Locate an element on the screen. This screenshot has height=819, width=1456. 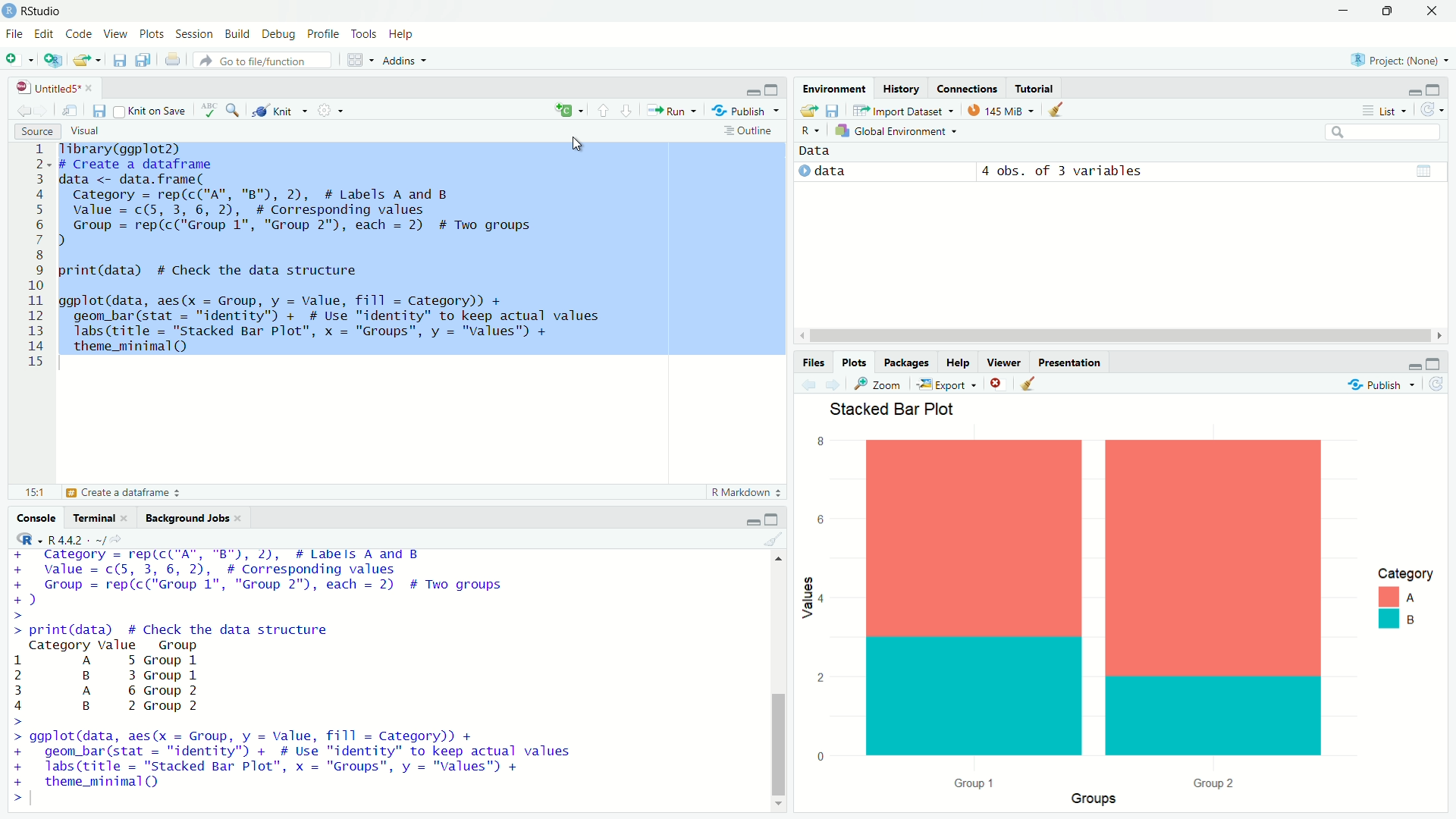
R.4.4.2 ~/ is located at coordinates (89, 538).